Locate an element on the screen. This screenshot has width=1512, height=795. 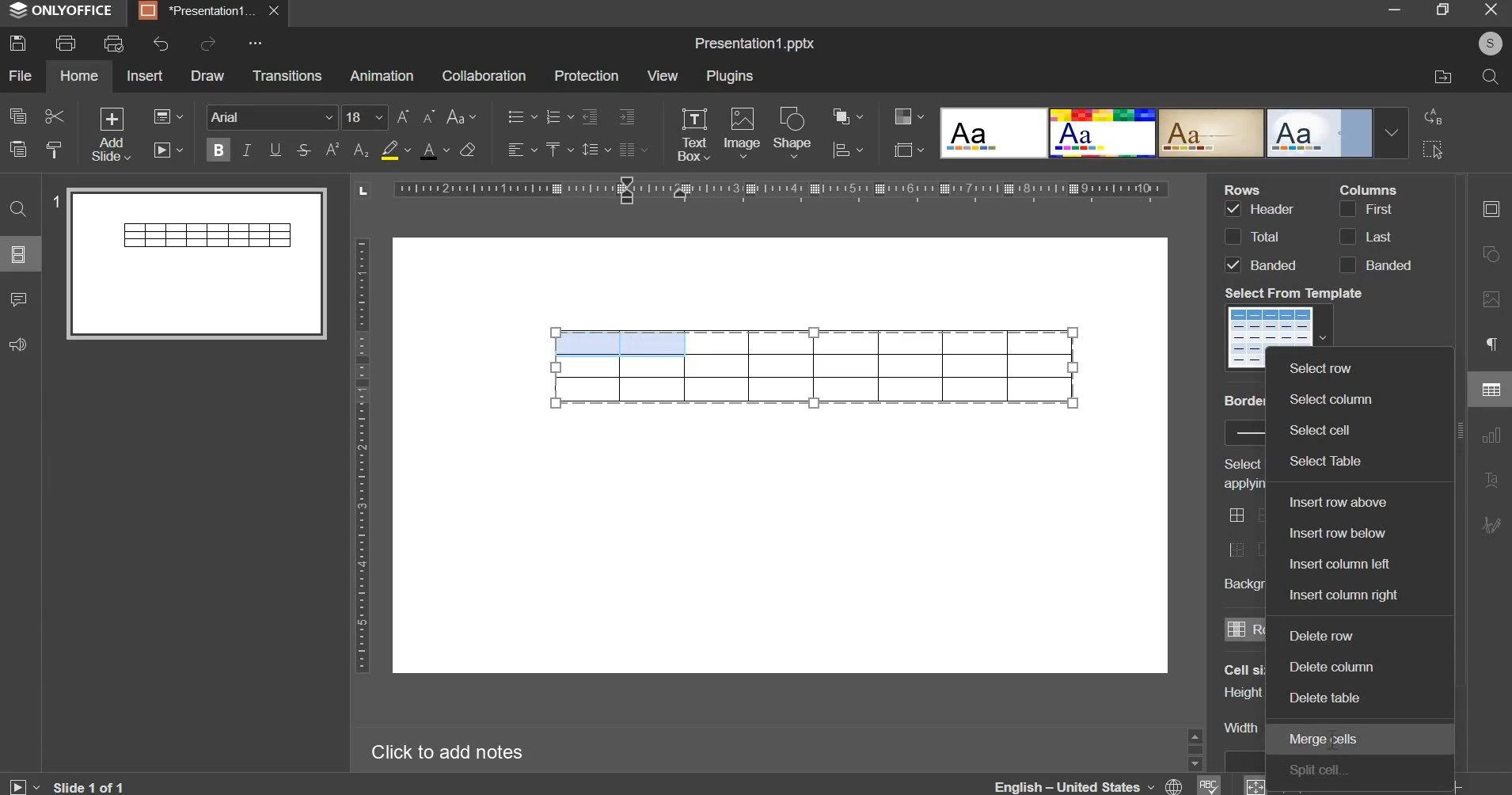
undo is located at coordinates (161, 44).